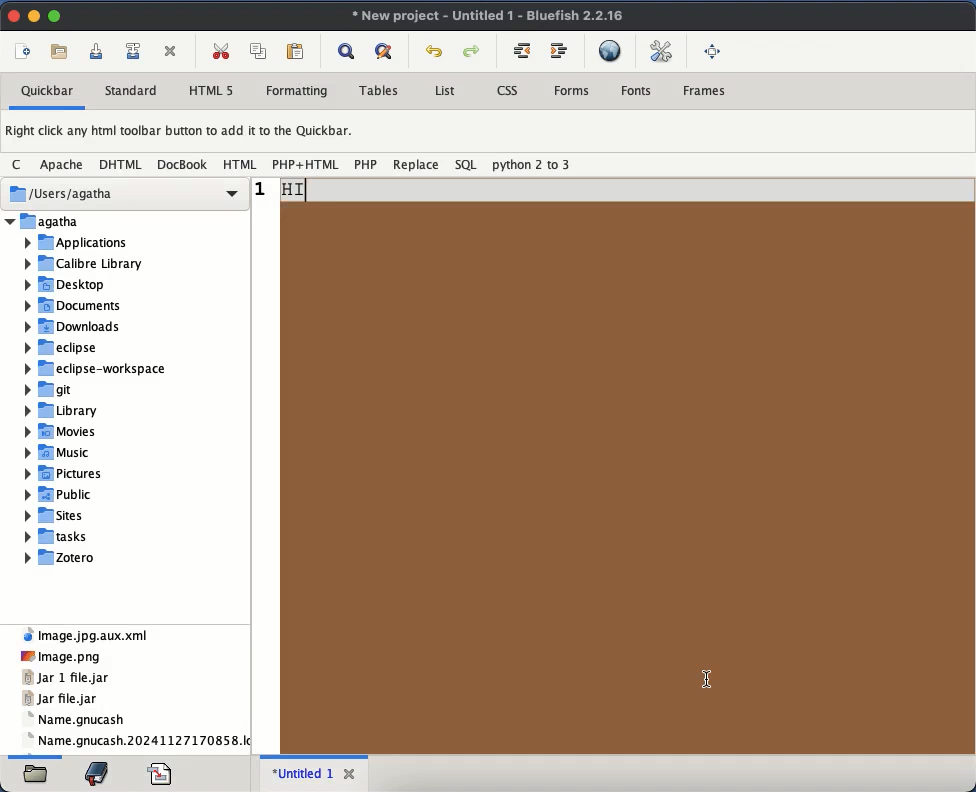 This screenshot has width=976, height=792. What do you see at coordinates (627, 480) in the screenshot?
I see `brown` at bounding box center [627, 480].